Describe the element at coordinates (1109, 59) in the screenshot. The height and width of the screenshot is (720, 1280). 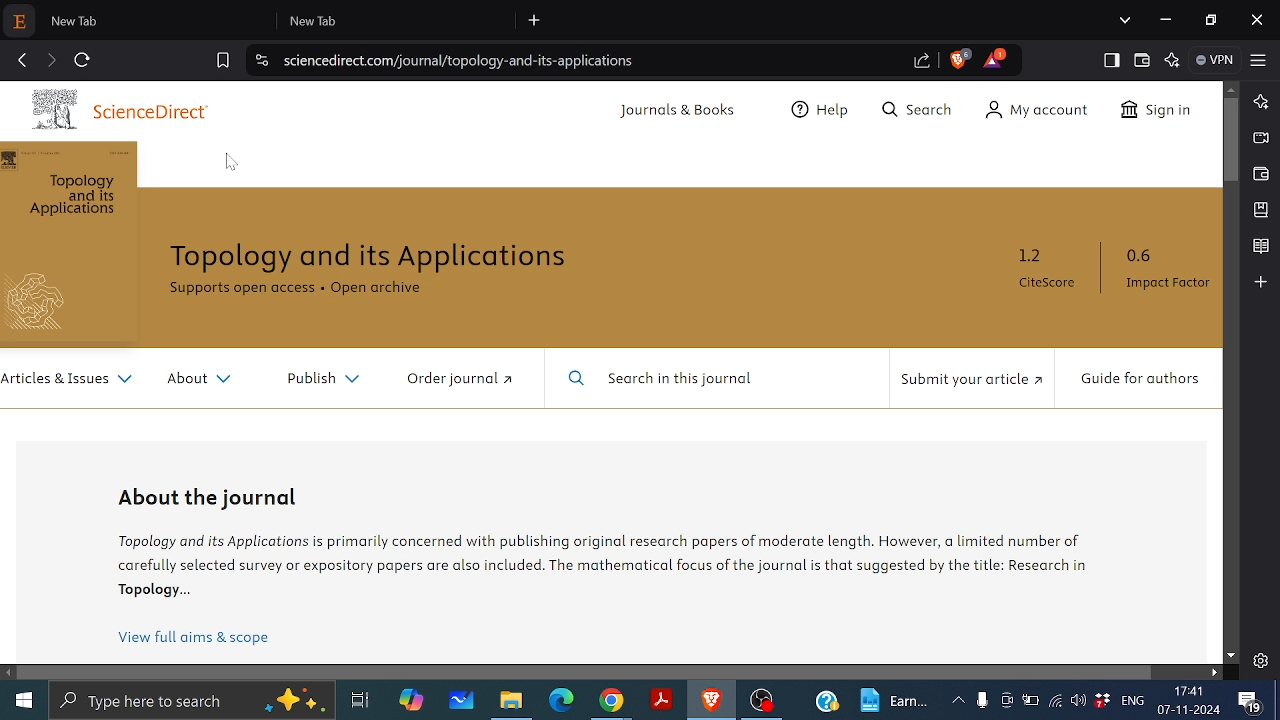
I see `Show sidebar` at that location.